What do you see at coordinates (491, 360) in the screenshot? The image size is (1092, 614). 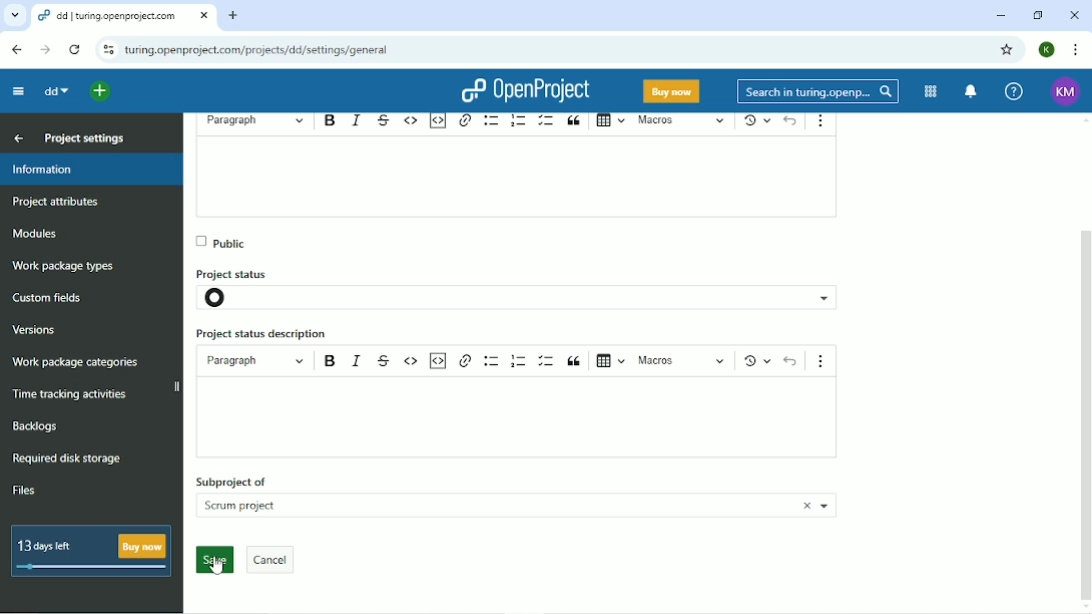 I see `bulleted list` at bounding box center [491, 360].